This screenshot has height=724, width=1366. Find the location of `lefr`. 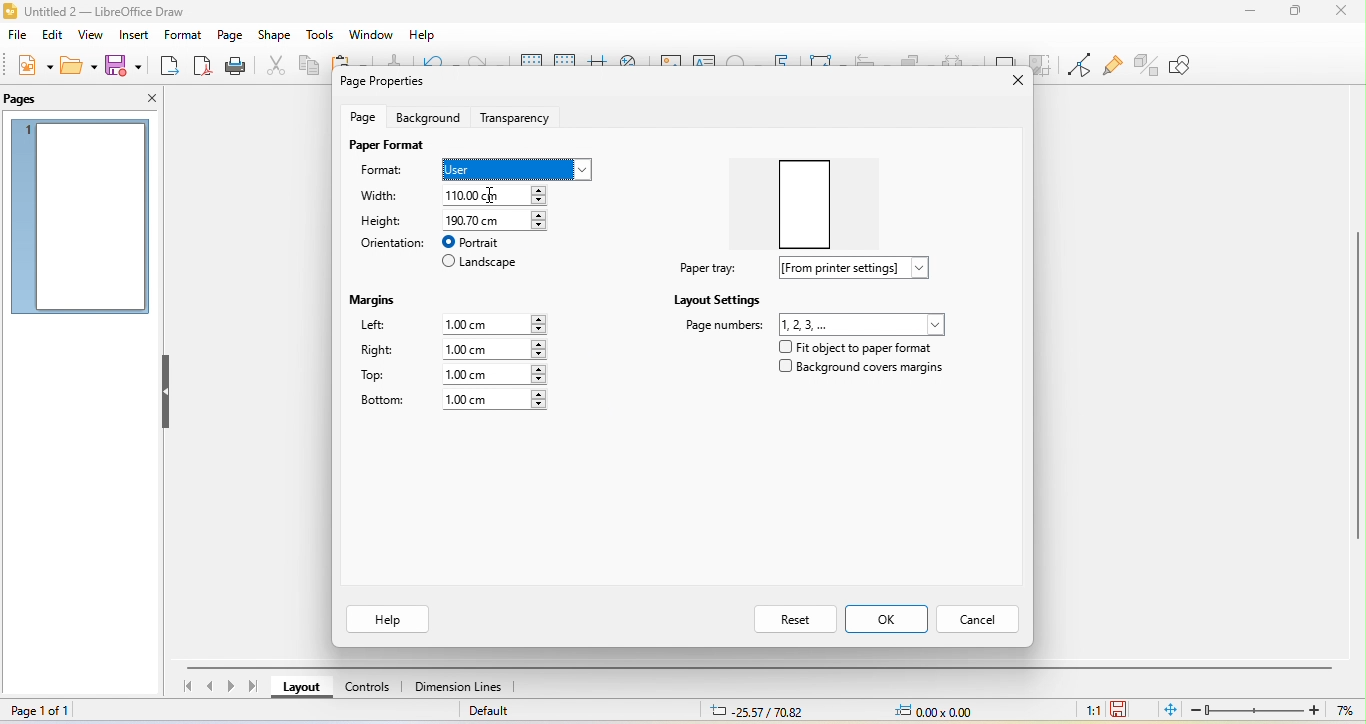

lefr is located at coordinates (386, 327).